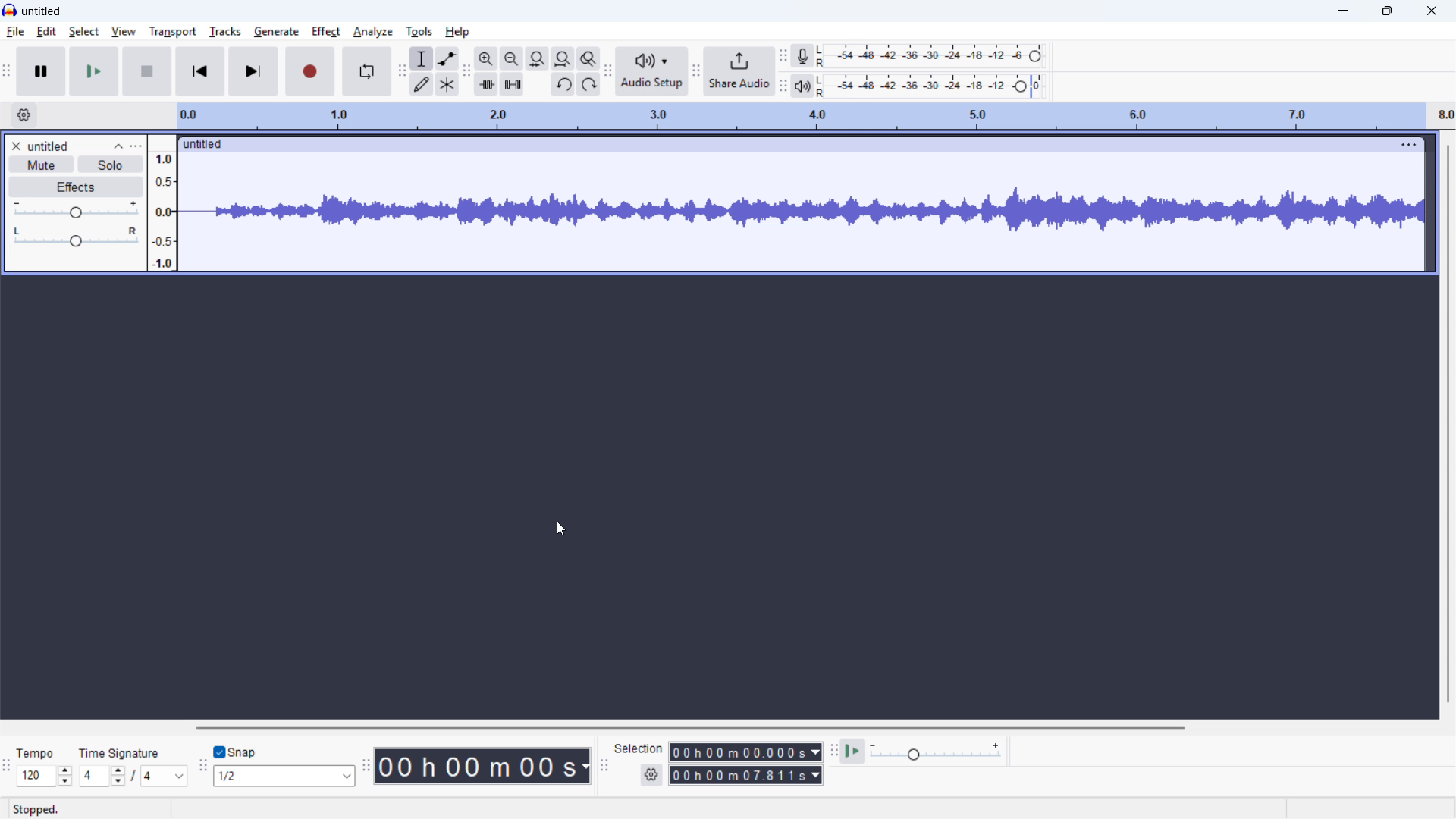 This screenshot has width=1456, height=819. I want to click on time signature, so click(120, 754).